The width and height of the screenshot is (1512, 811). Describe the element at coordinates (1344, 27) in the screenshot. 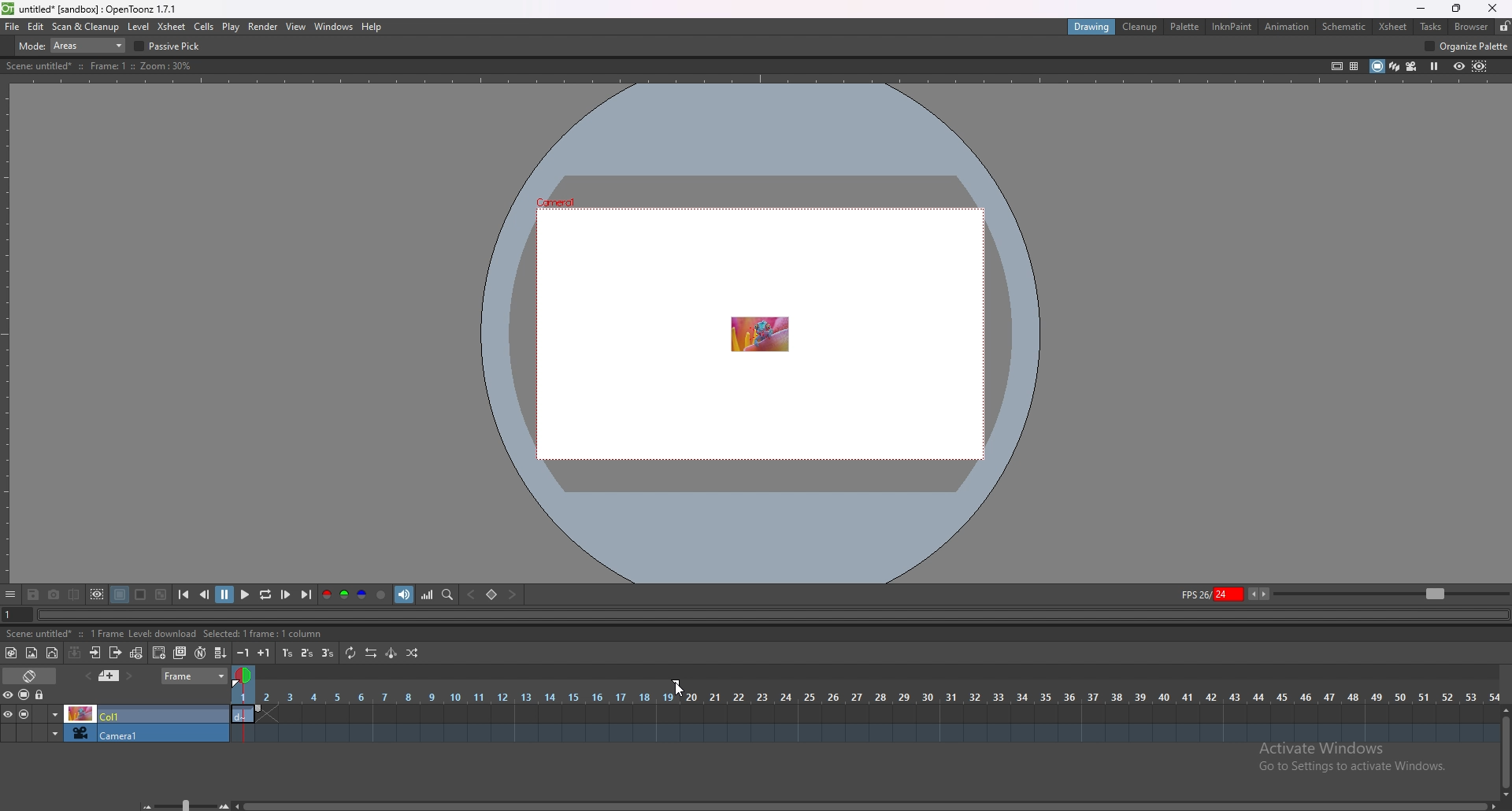

I see `schematic` at that location.